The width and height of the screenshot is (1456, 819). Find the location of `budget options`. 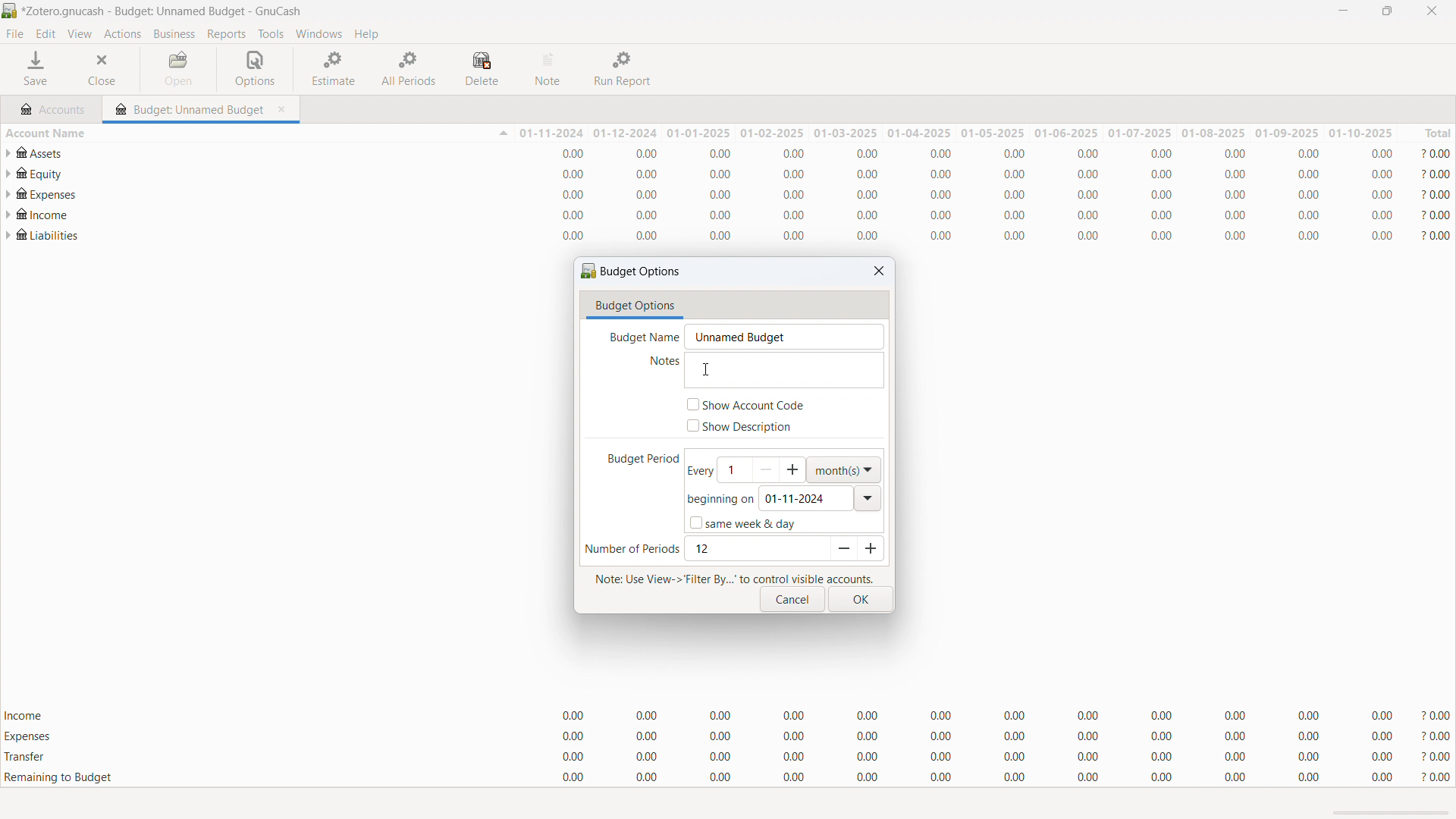

budget options is located at coordinates (632, 271).